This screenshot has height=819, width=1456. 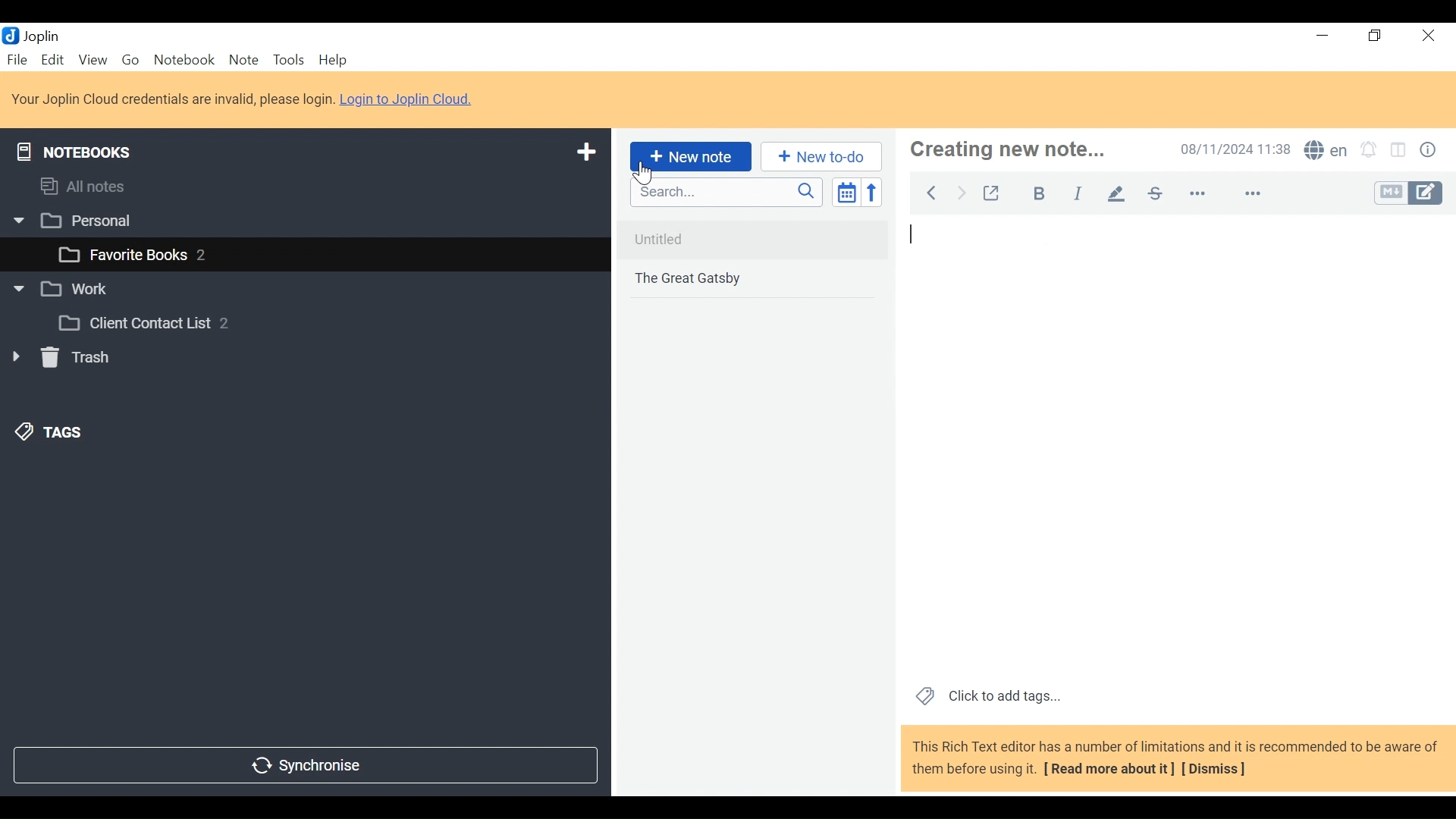 What do you see at coordinates (1429, 151) in the screenshot?
I see `Note properties` at bounding box center [1429, 151].